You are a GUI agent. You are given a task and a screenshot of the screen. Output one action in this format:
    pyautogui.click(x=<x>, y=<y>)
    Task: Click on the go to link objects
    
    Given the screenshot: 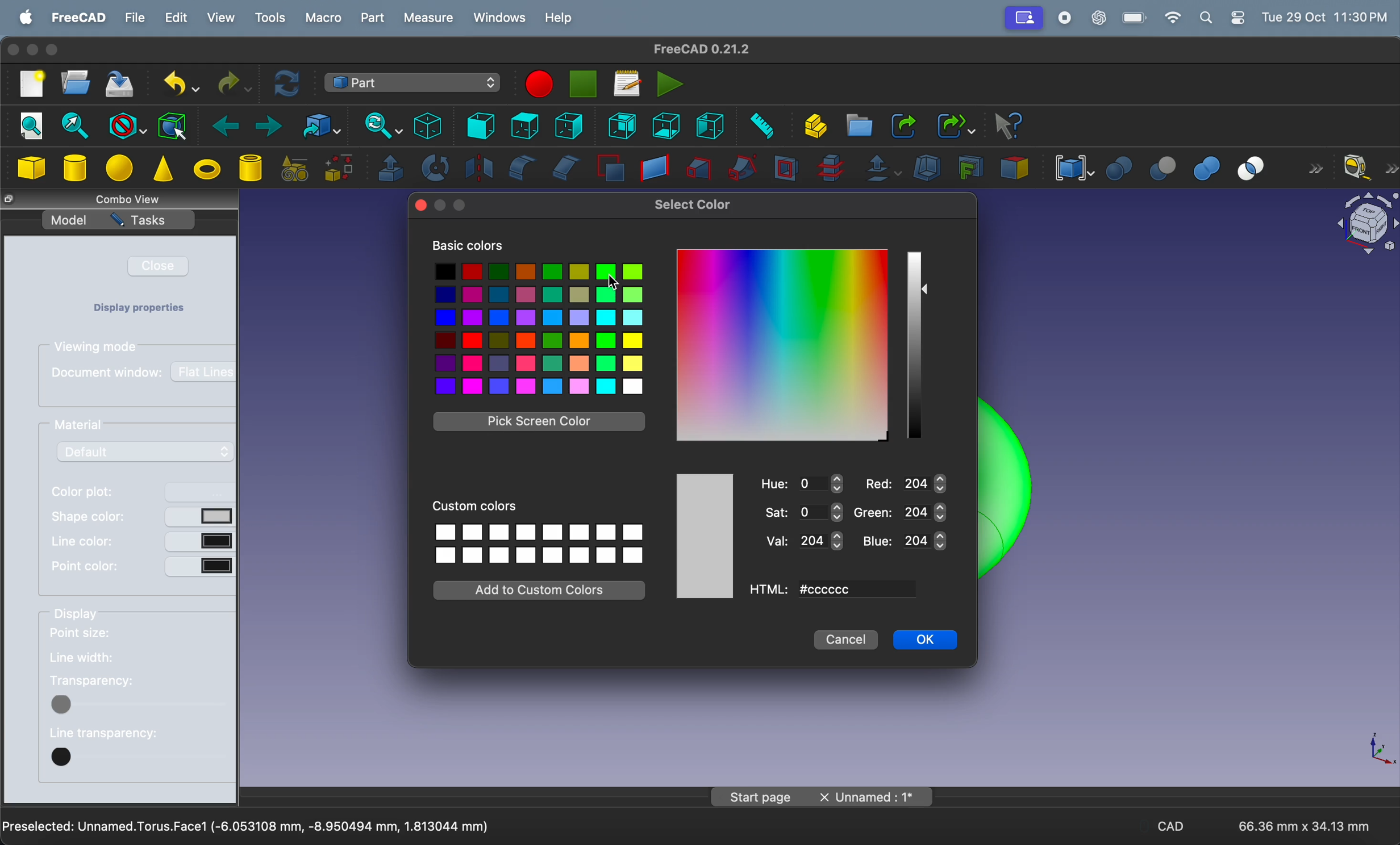 What is the action you would take?
    pyautogui.click(x=315, y=126)
    